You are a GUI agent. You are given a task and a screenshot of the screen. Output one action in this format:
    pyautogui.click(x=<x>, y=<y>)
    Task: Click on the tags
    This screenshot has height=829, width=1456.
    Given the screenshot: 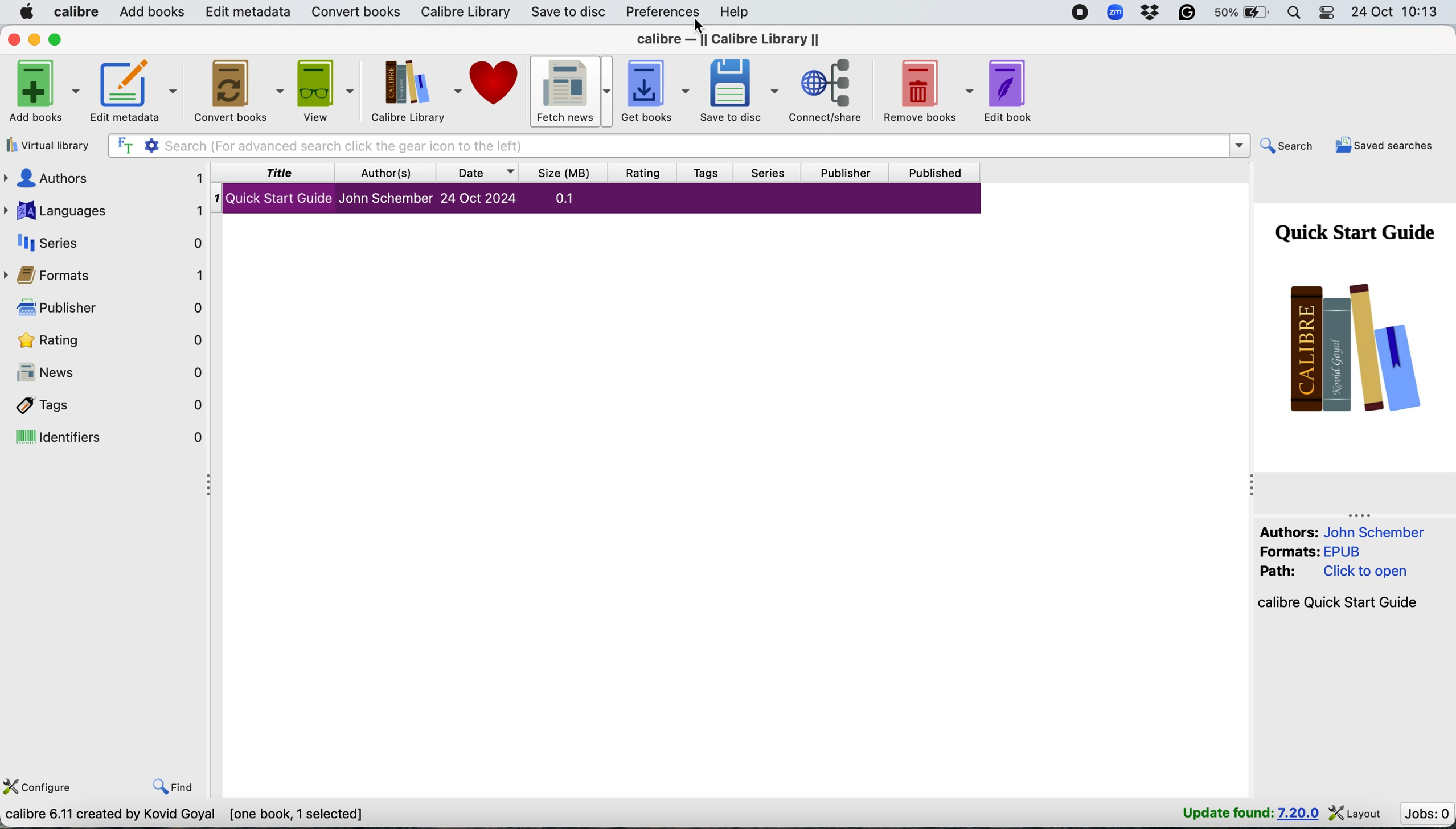 What is the action you would take?
    pyautogui.click(x=112, y=405)
    